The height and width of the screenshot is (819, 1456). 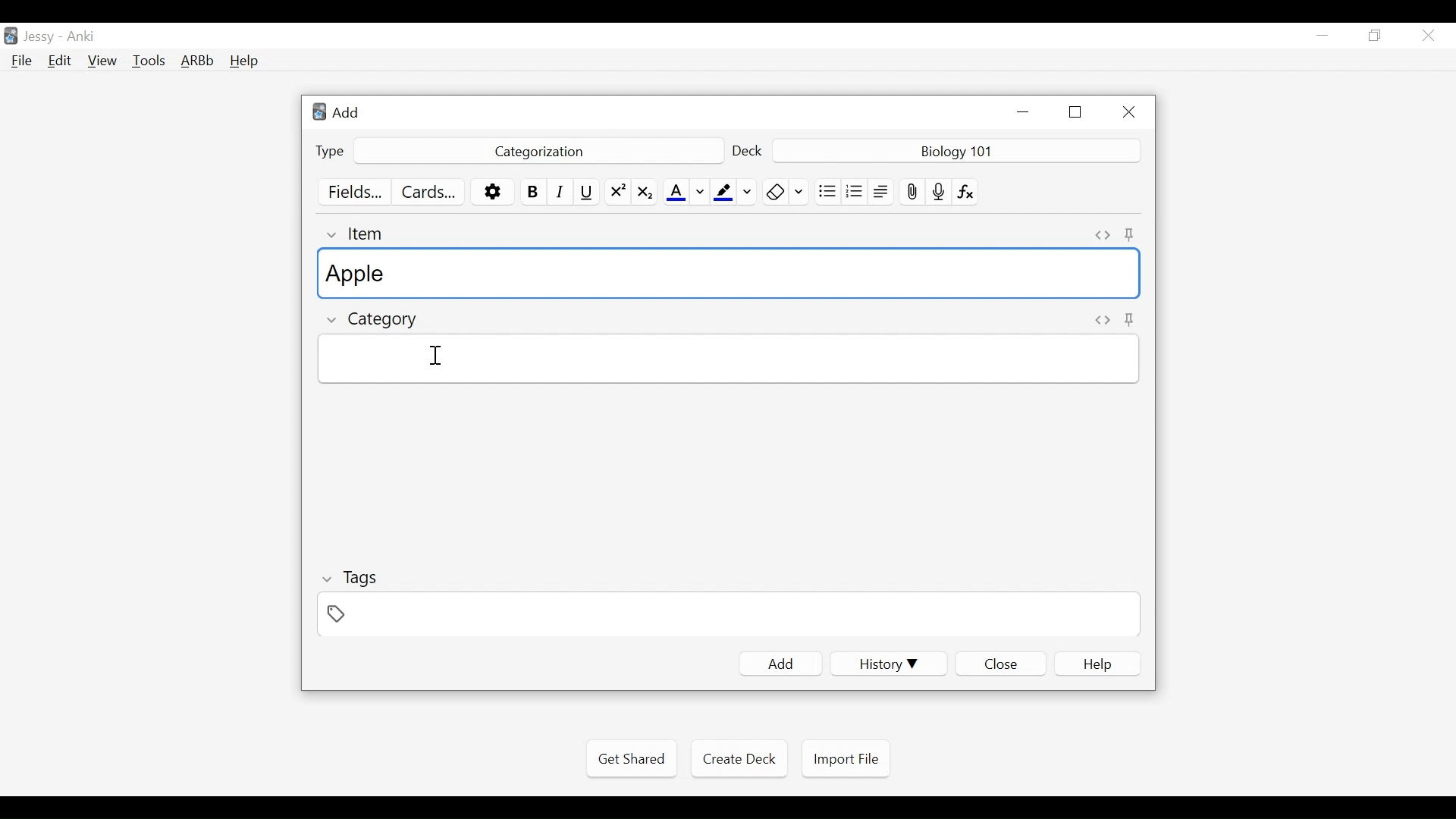 I want to click on Close, so click(x=1428, y=36).